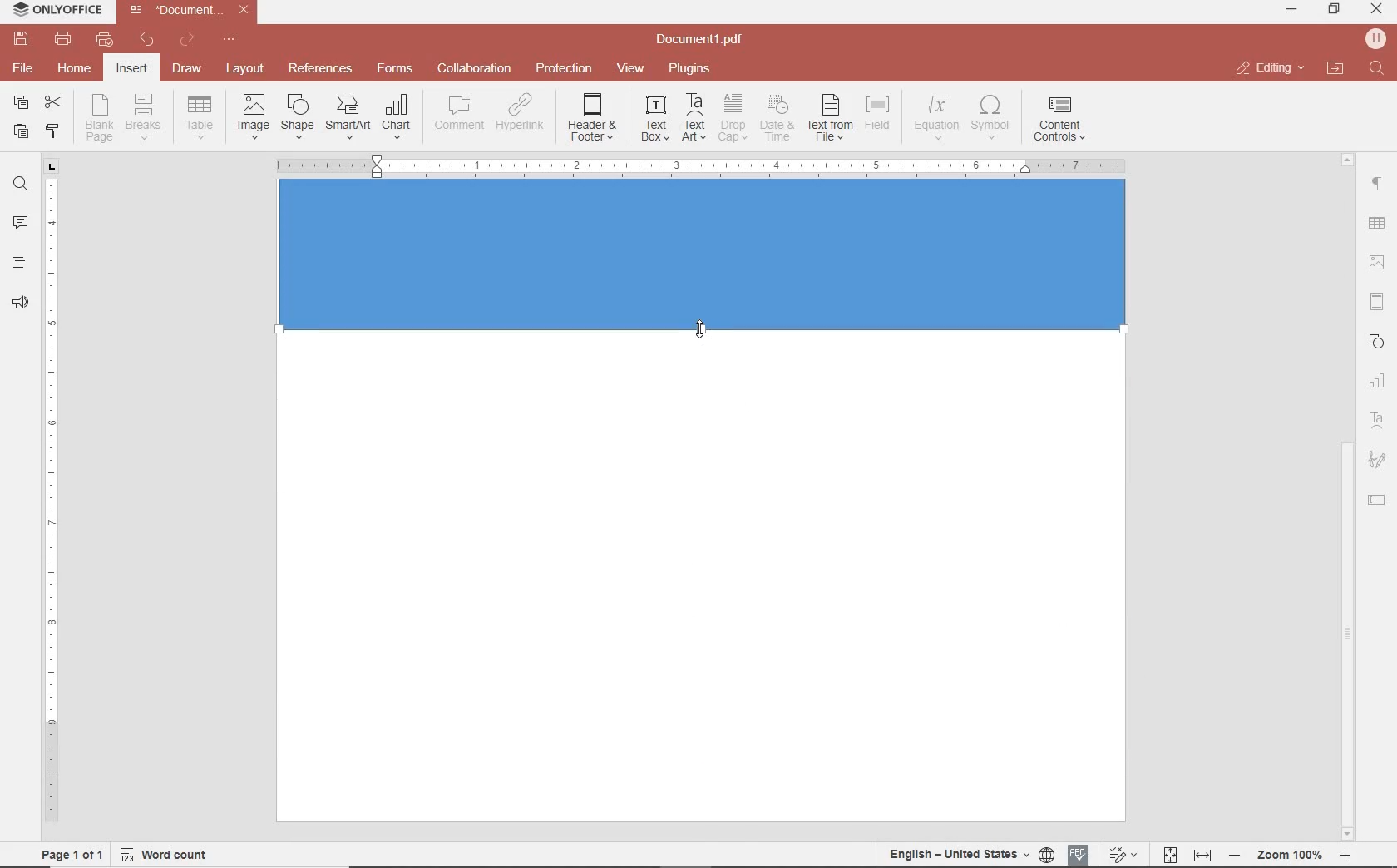  Describe the element at coordinates (63, 39) in the screenshot. I see `print file` at that location.